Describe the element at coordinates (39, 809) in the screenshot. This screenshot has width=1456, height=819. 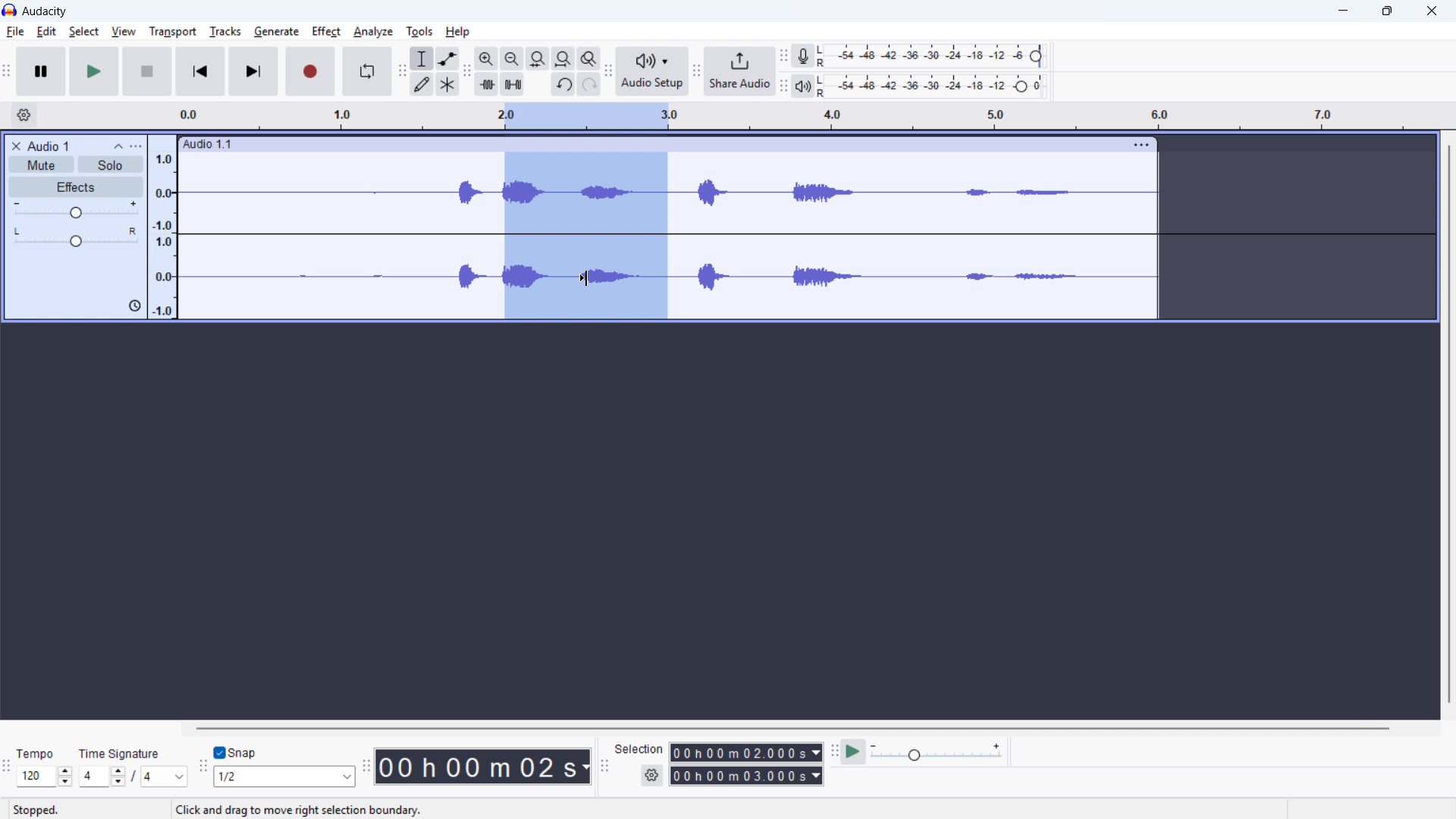
I see `Stopped` at that location.